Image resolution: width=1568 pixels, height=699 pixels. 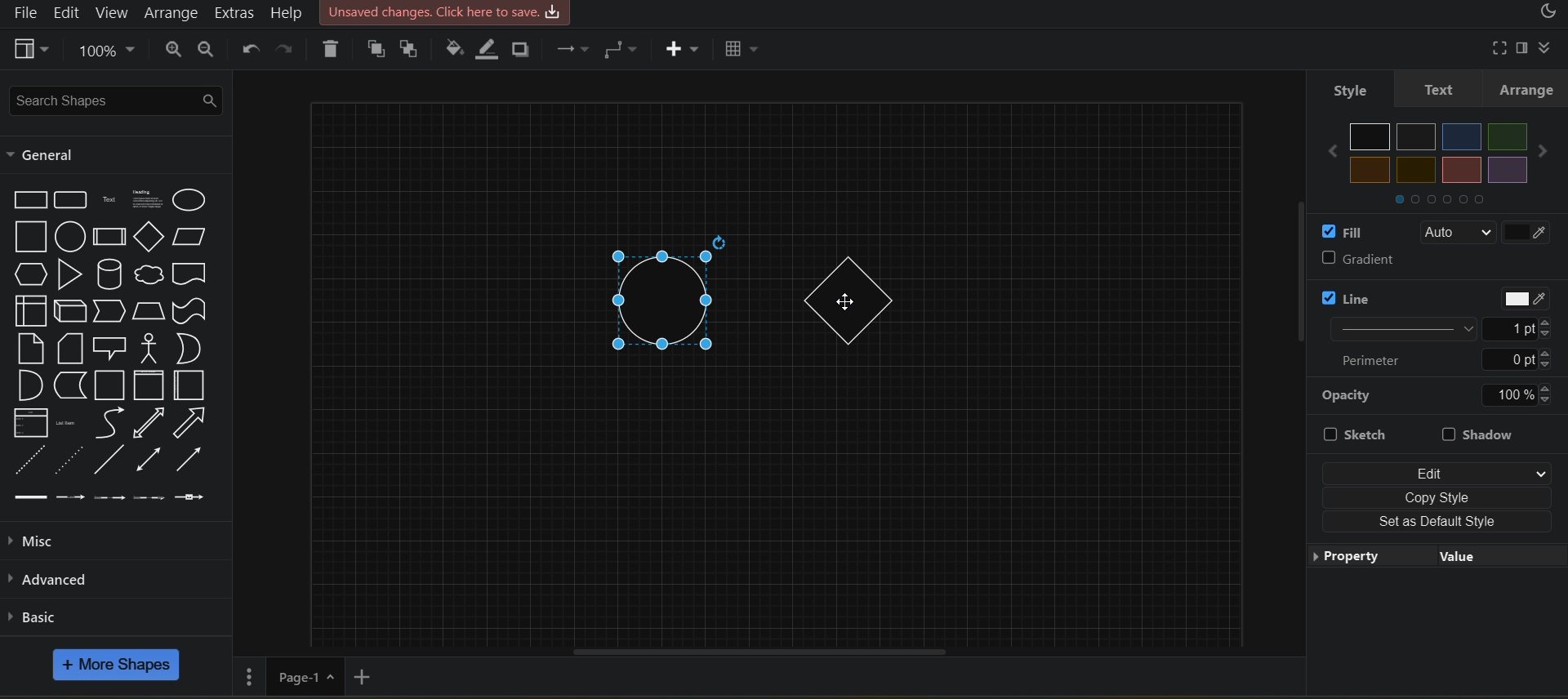 What do you see at coordinates (1418, 170) in the screenshot?
I see `` at bounding box center [1418, 170].